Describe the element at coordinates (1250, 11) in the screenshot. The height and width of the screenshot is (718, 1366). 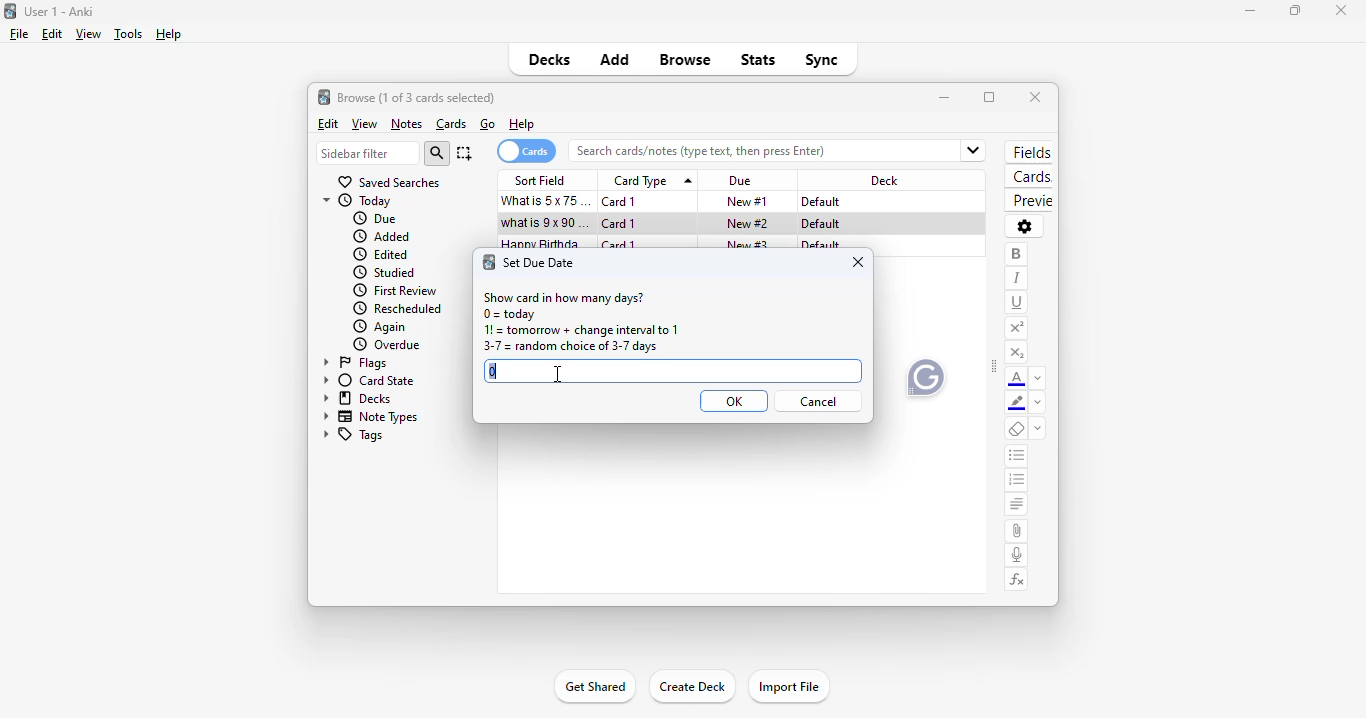
I see `minimize` at that location.